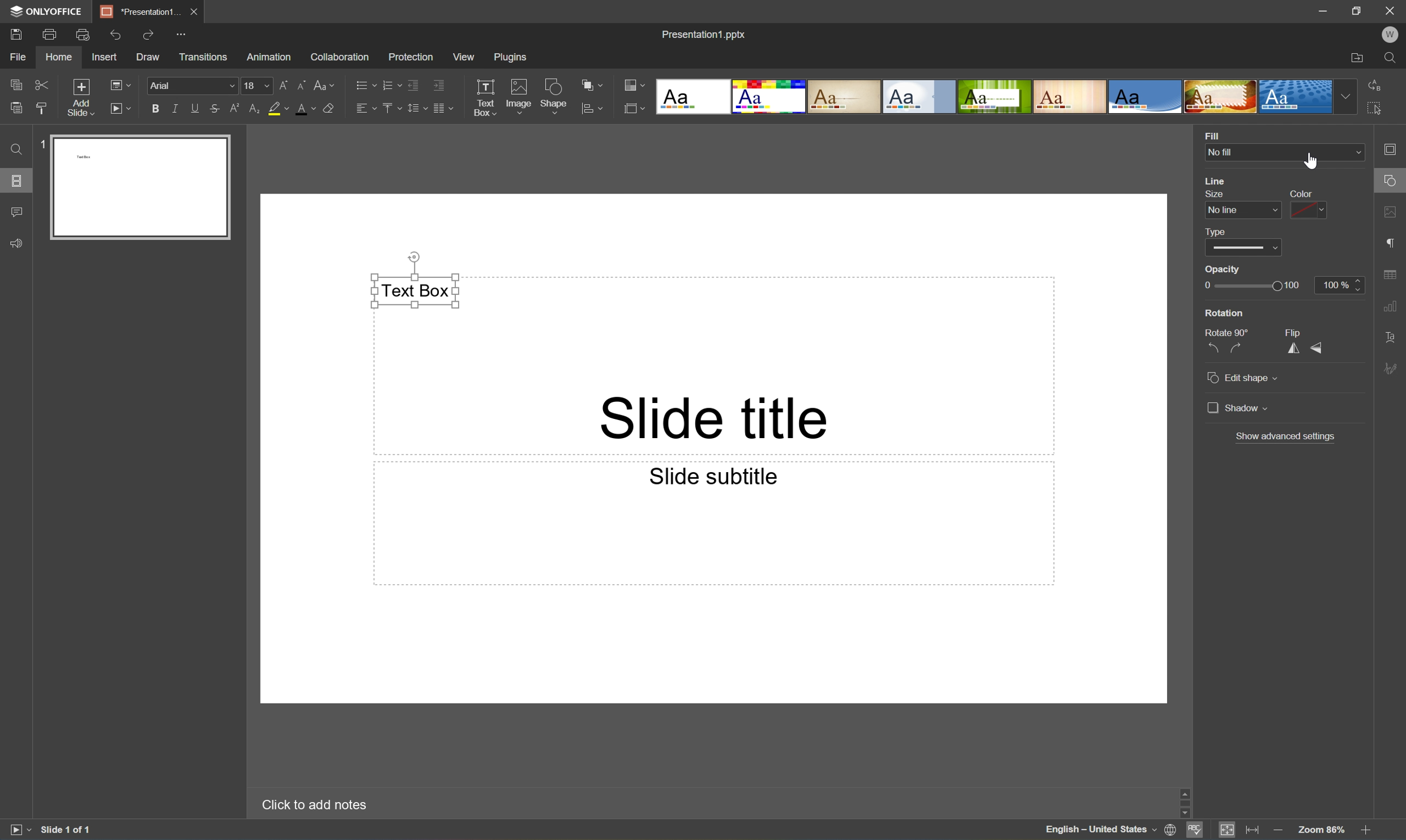  I want to click on Insert columns, so click(444, 110).